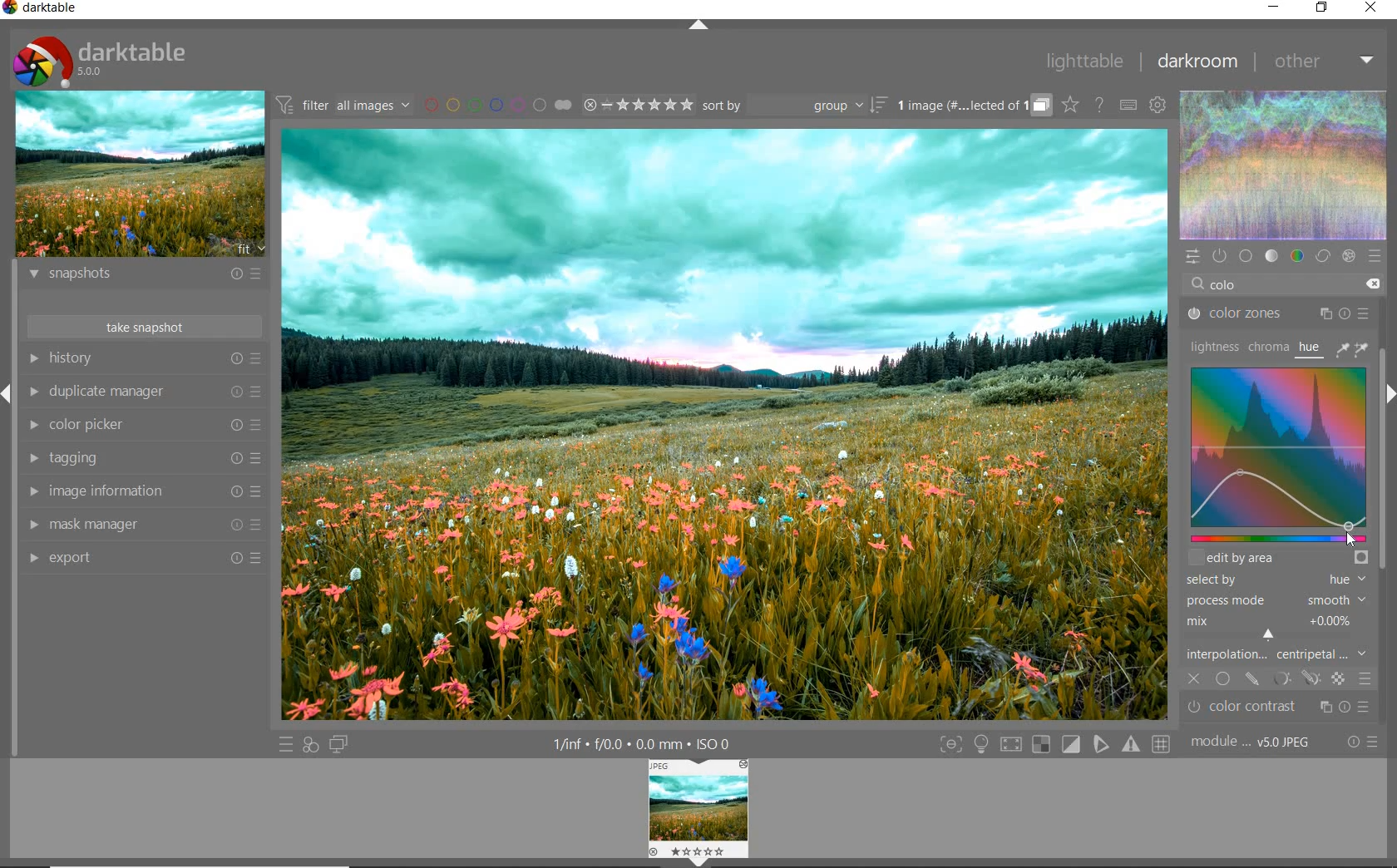 Image resolution: width=1397 pixels, height=868 pixels. Describe the element at coordinates (1277, 655) in the screenshot. I see `interpolation` at that location.